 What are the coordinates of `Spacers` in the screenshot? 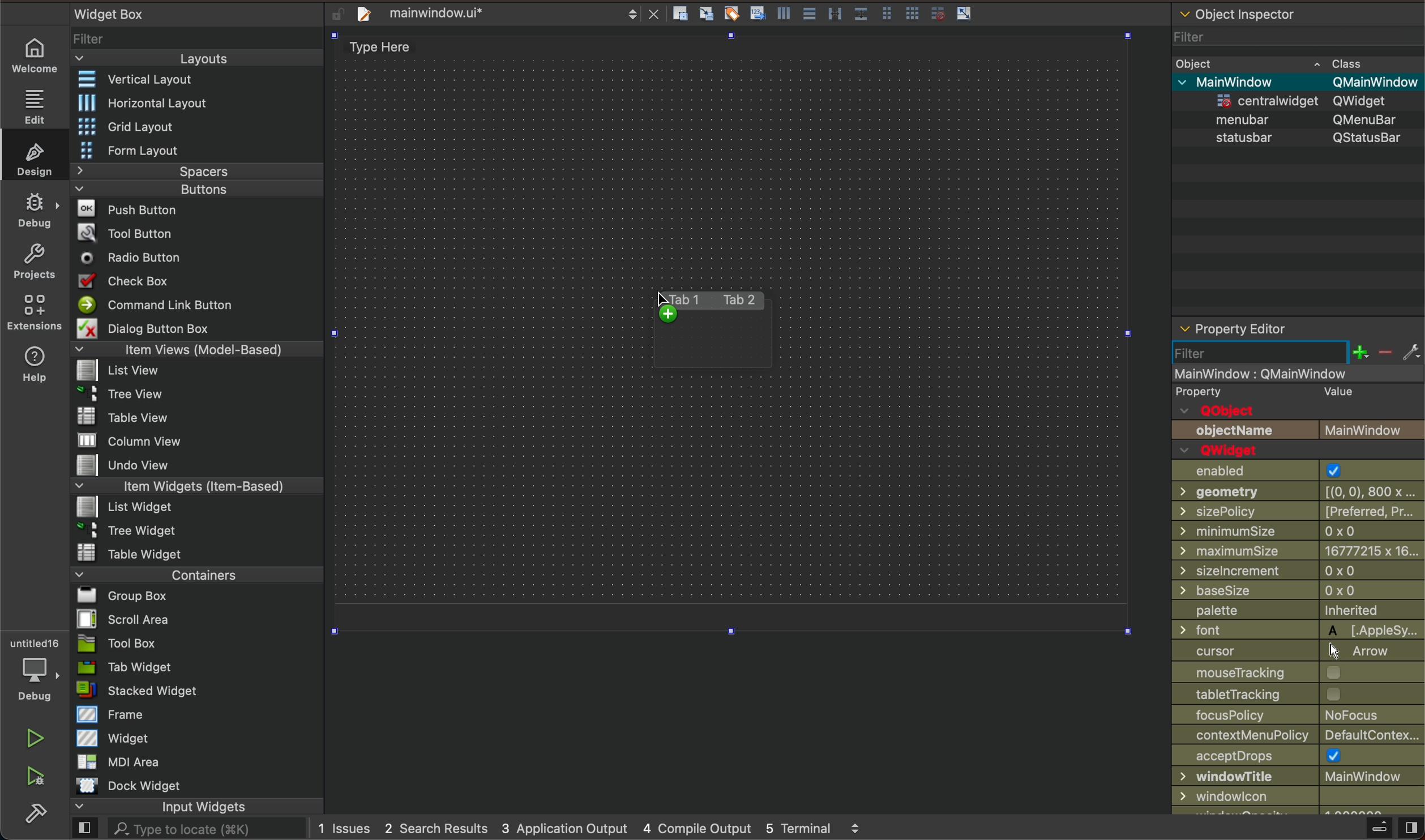 It's located at (198, 172).